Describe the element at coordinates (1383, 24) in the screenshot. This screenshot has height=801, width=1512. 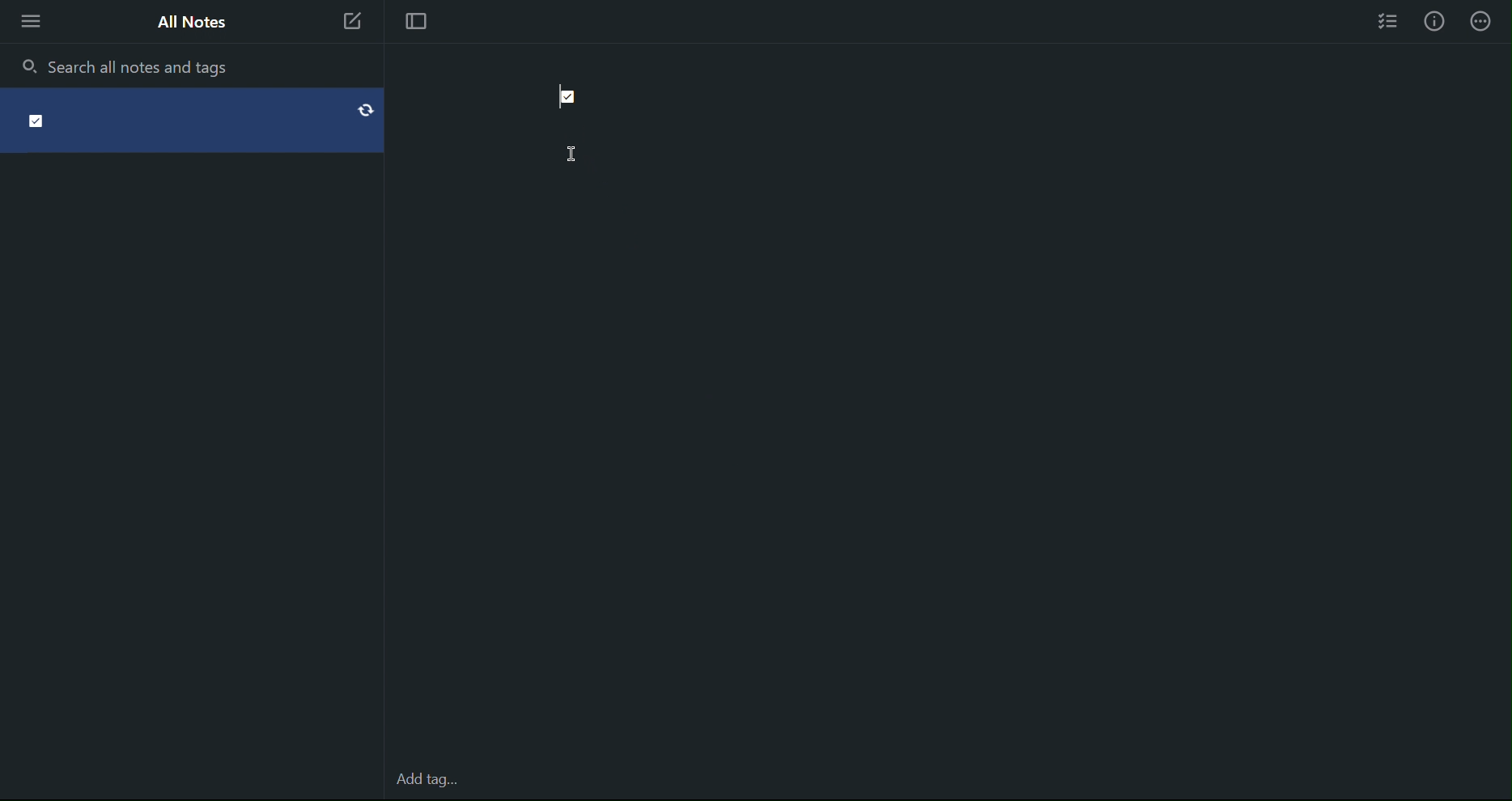
I see `Checklist` at that location.